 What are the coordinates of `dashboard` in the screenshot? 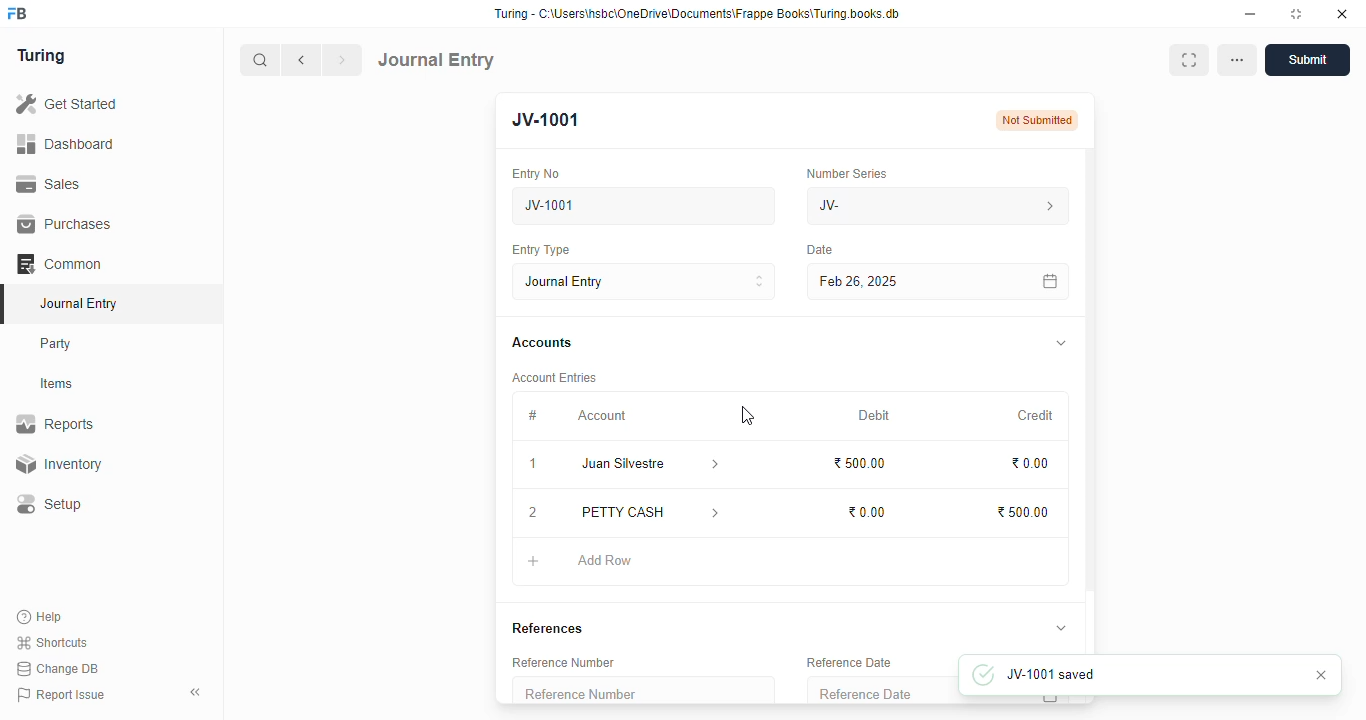 It's located at (66, 143).